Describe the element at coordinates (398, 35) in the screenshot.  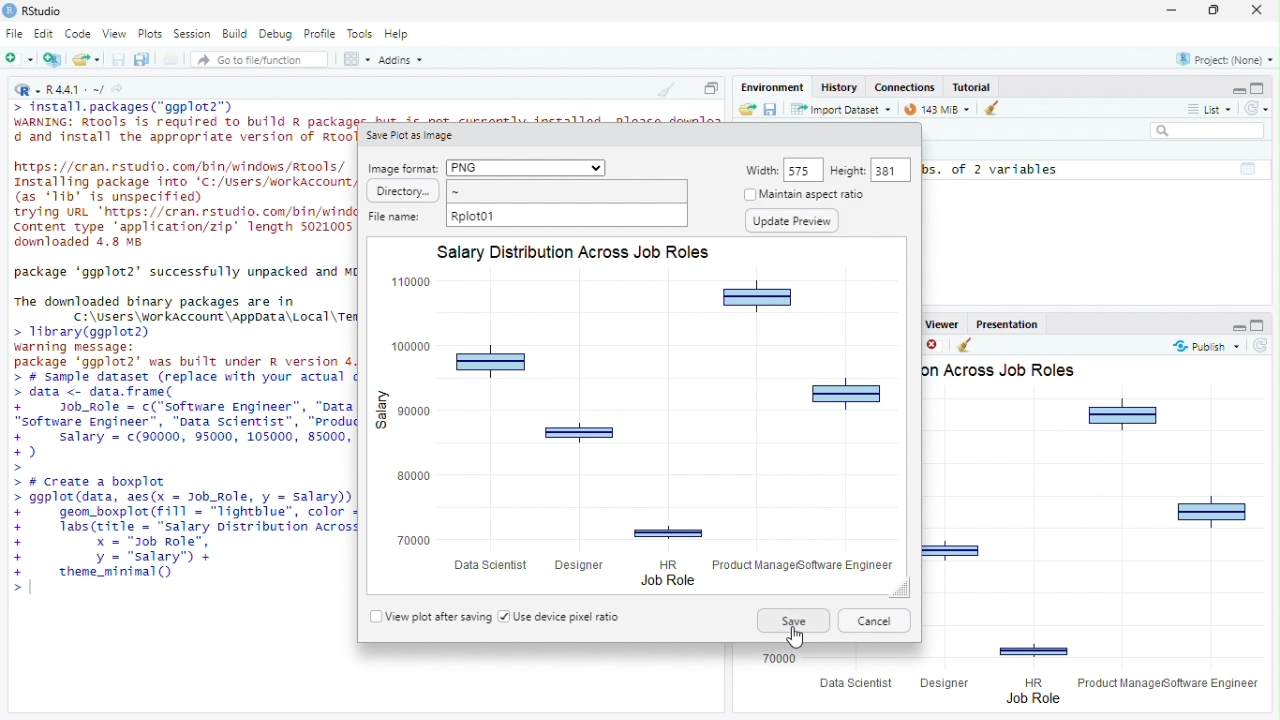
I see `Help` at that location.